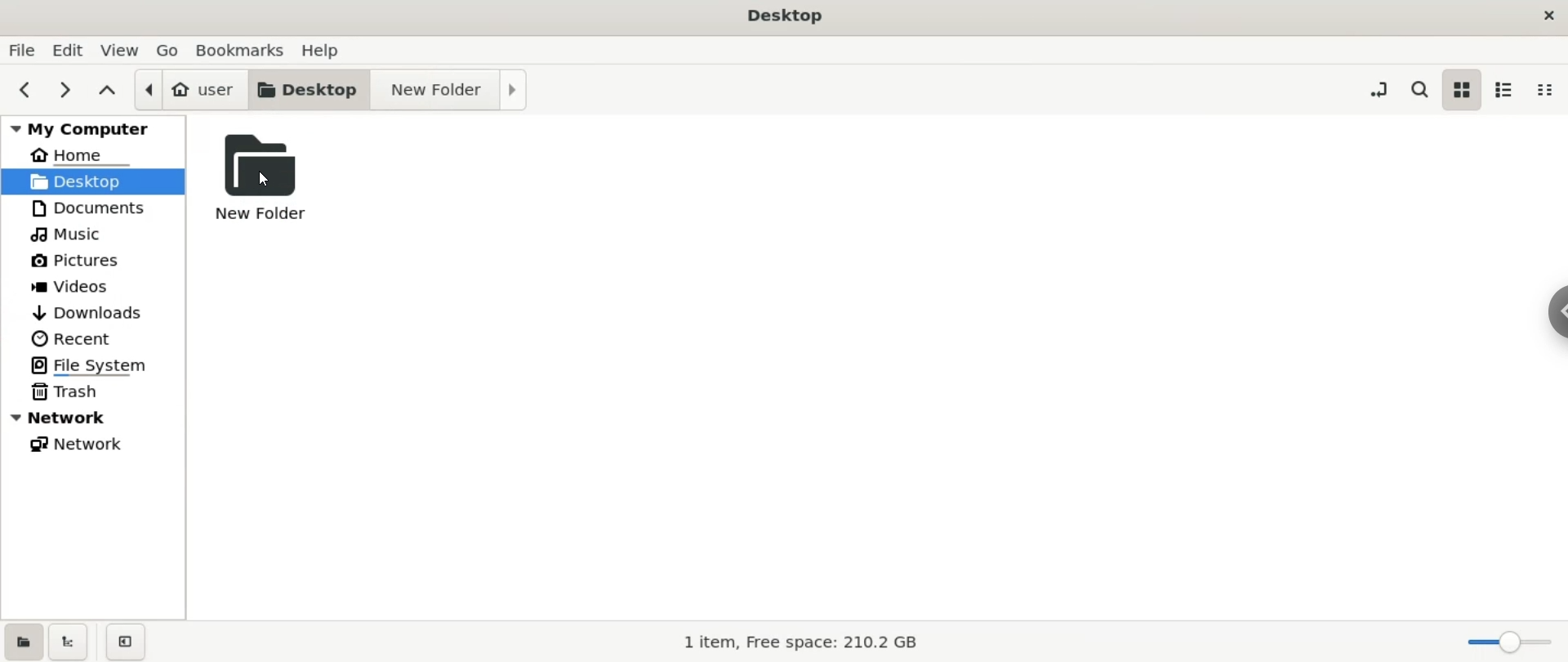 Image resolution: width=1568 pixels, height=662 pixels. I want to click on new folder, so click(450, 91).